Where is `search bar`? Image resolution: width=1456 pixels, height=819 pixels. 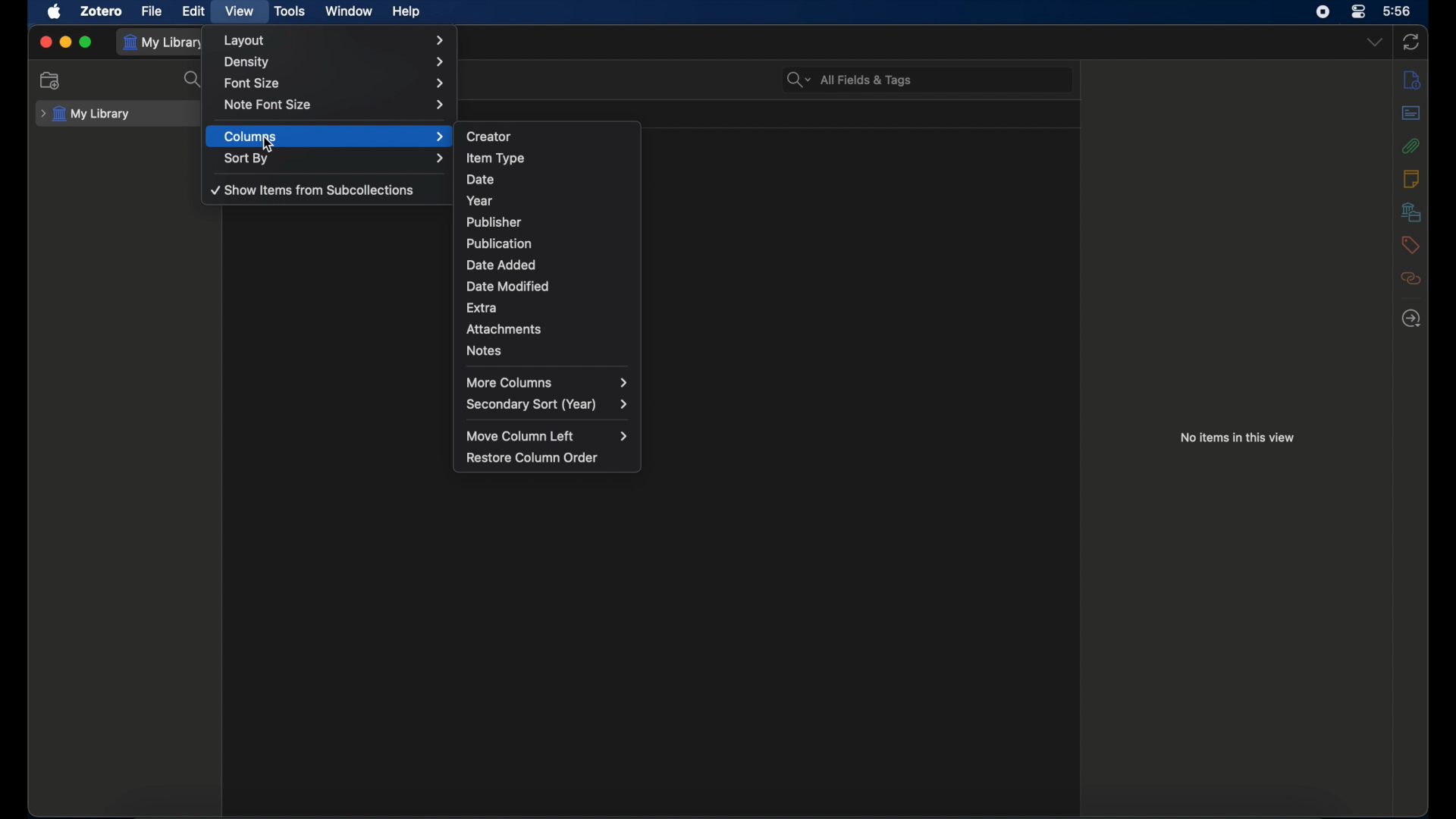 search bar is located at coordinates (849, 79).